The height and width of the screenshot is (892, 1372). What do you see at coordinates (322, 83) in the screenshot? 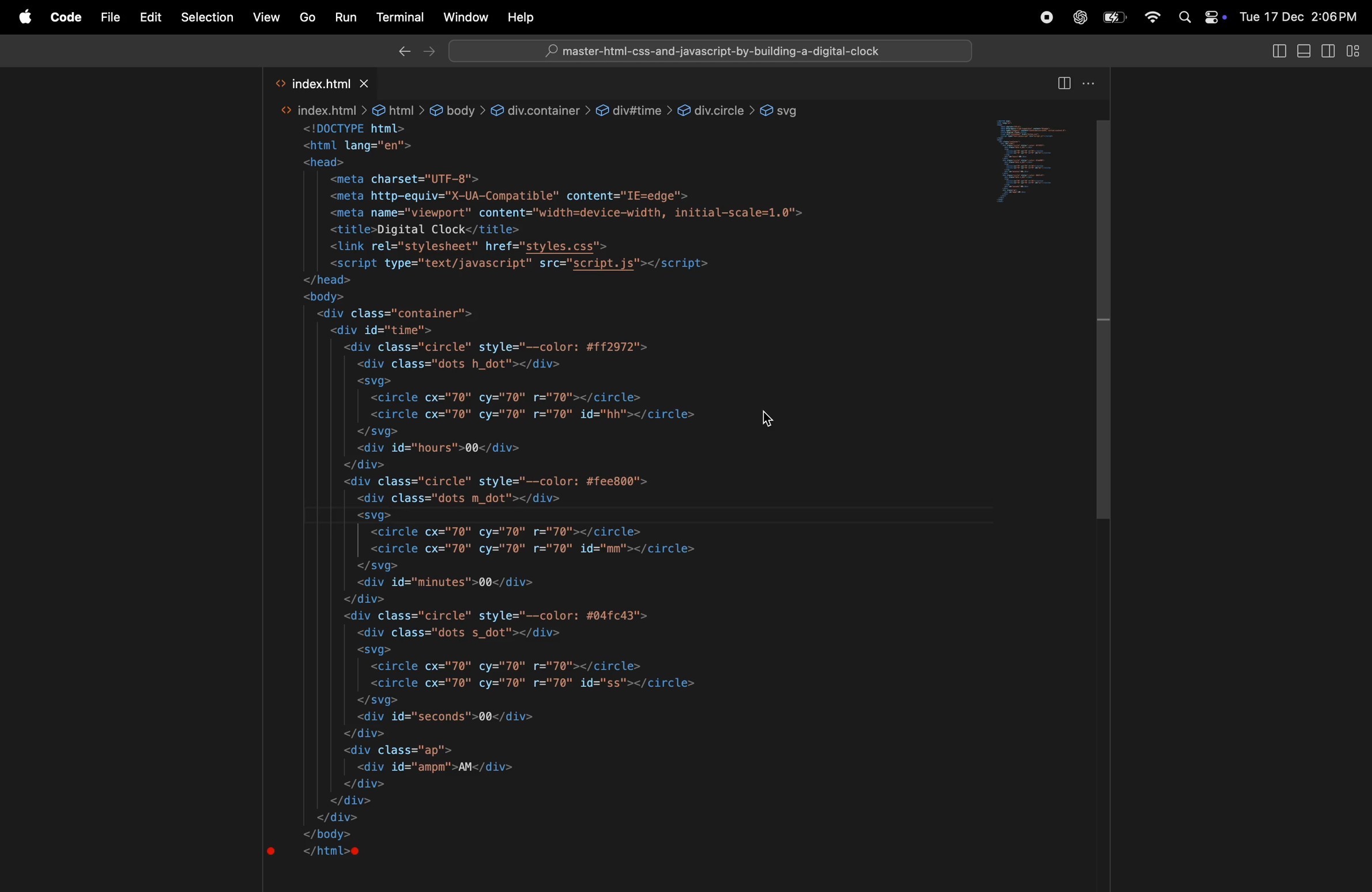
I see `index.html` at bounding box center [322, 83].